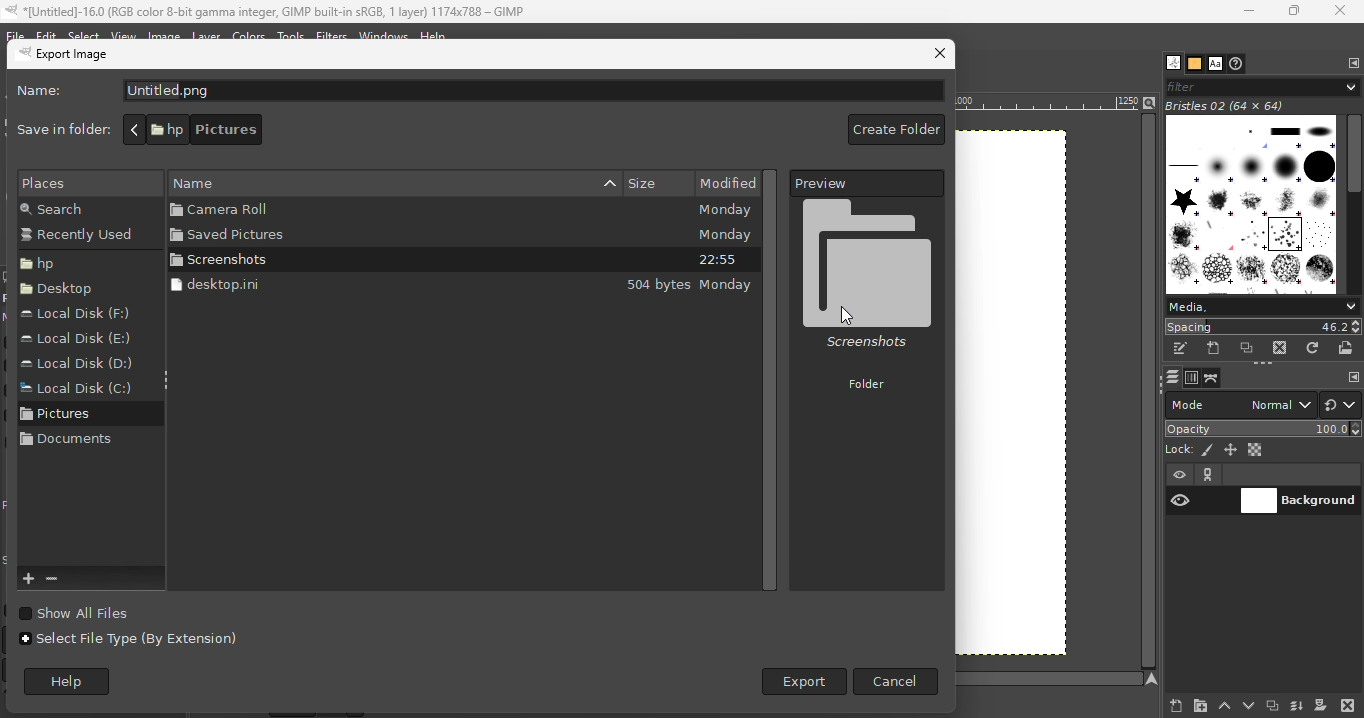 The height and width of the screenshot is (718, 1364). Describe the element at coordinates (211, 37) in the screenshot. I see `Layer` at that location.